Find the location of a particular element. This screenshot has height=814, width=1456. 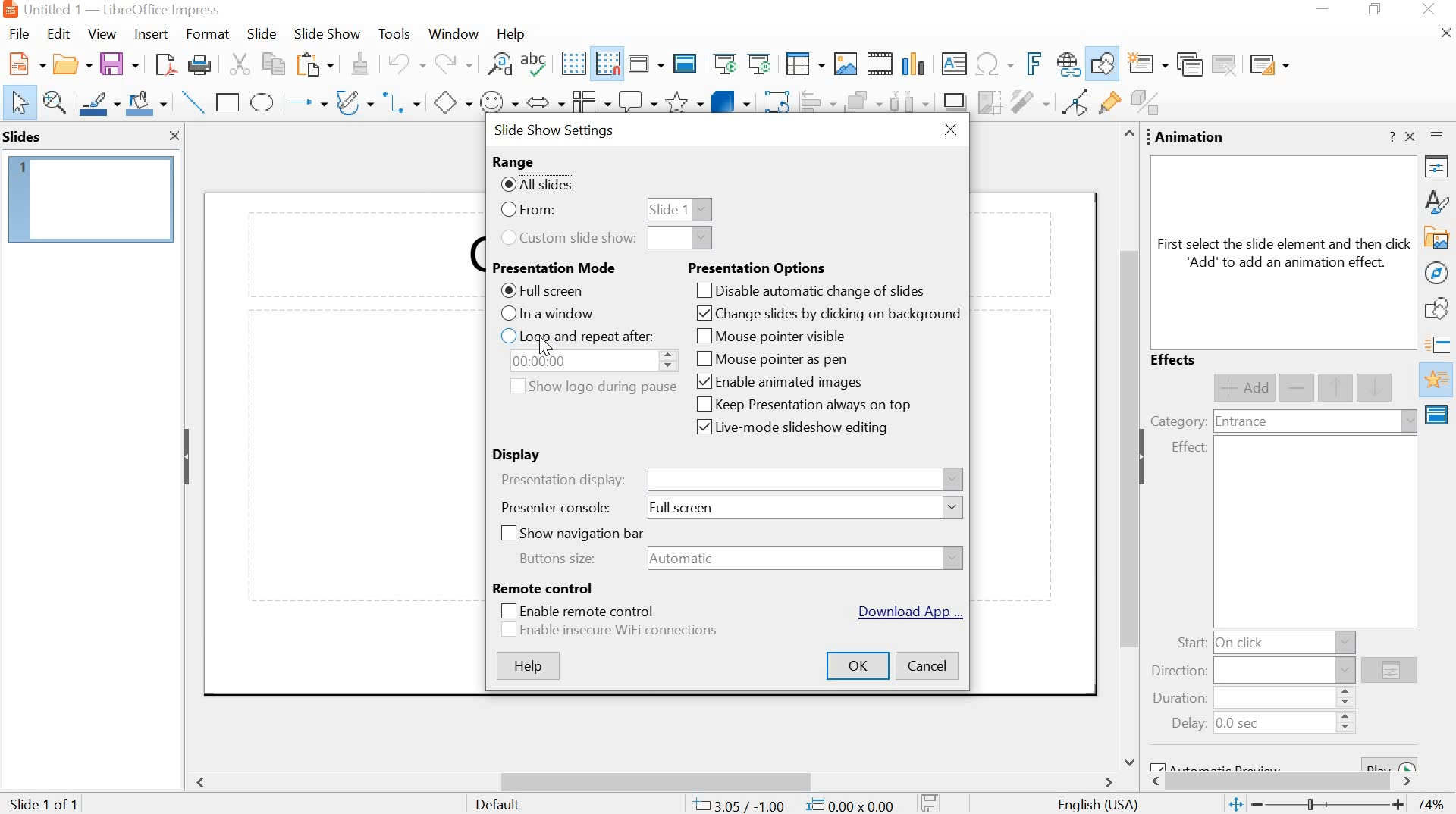

slide show menu is located at coordinates (324, 34).